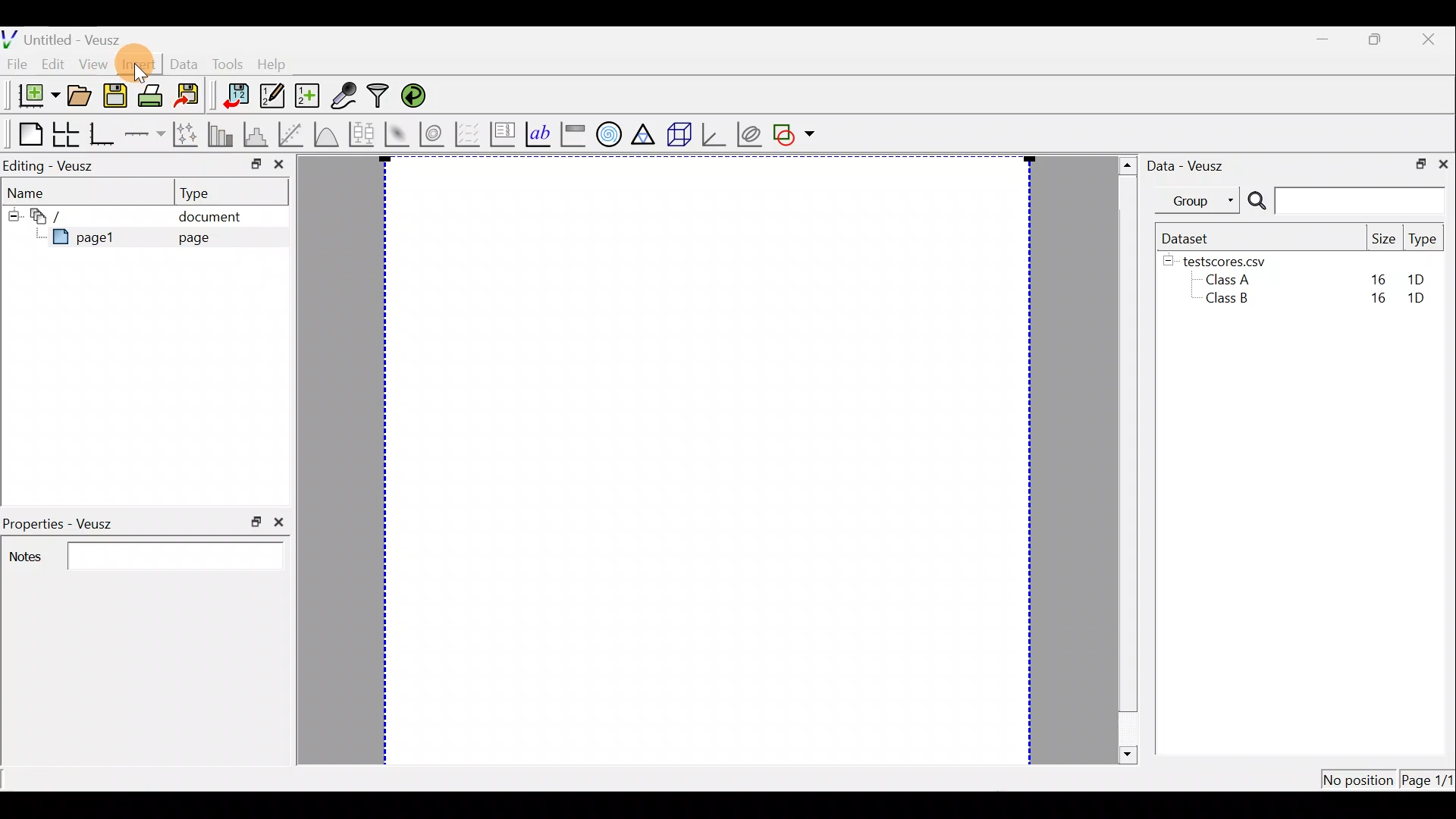 This screenshot has width=1456, height=819. What do you see at coordinates (1232, 279) in the screenshot?
I see `Class A` at bounding box center [1232, 279].